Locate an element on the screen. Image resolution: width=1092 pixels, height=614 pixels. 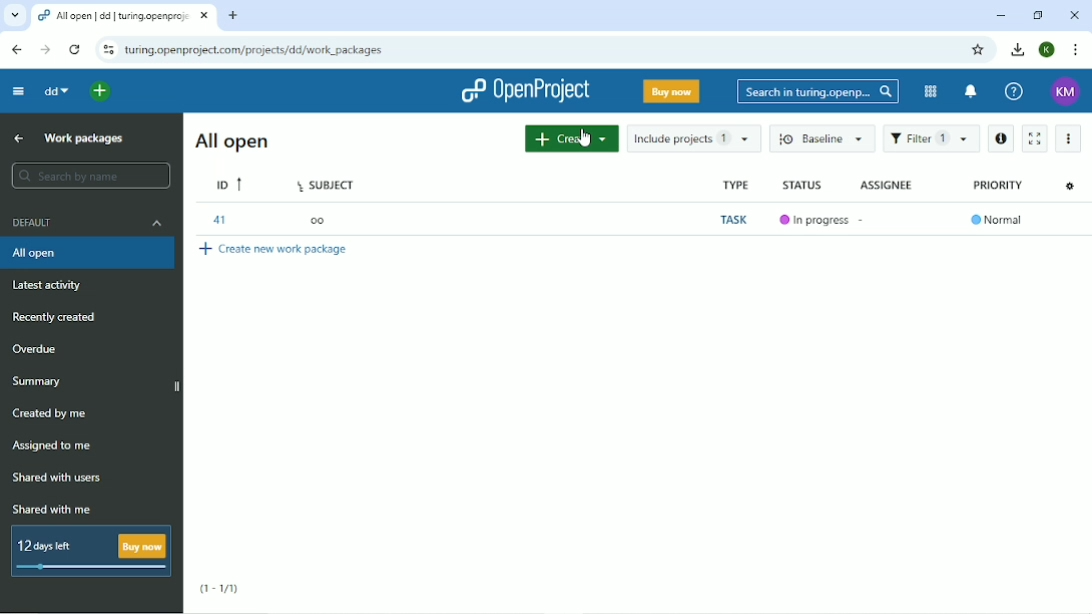
cursor is located at coordinates (585, 138).